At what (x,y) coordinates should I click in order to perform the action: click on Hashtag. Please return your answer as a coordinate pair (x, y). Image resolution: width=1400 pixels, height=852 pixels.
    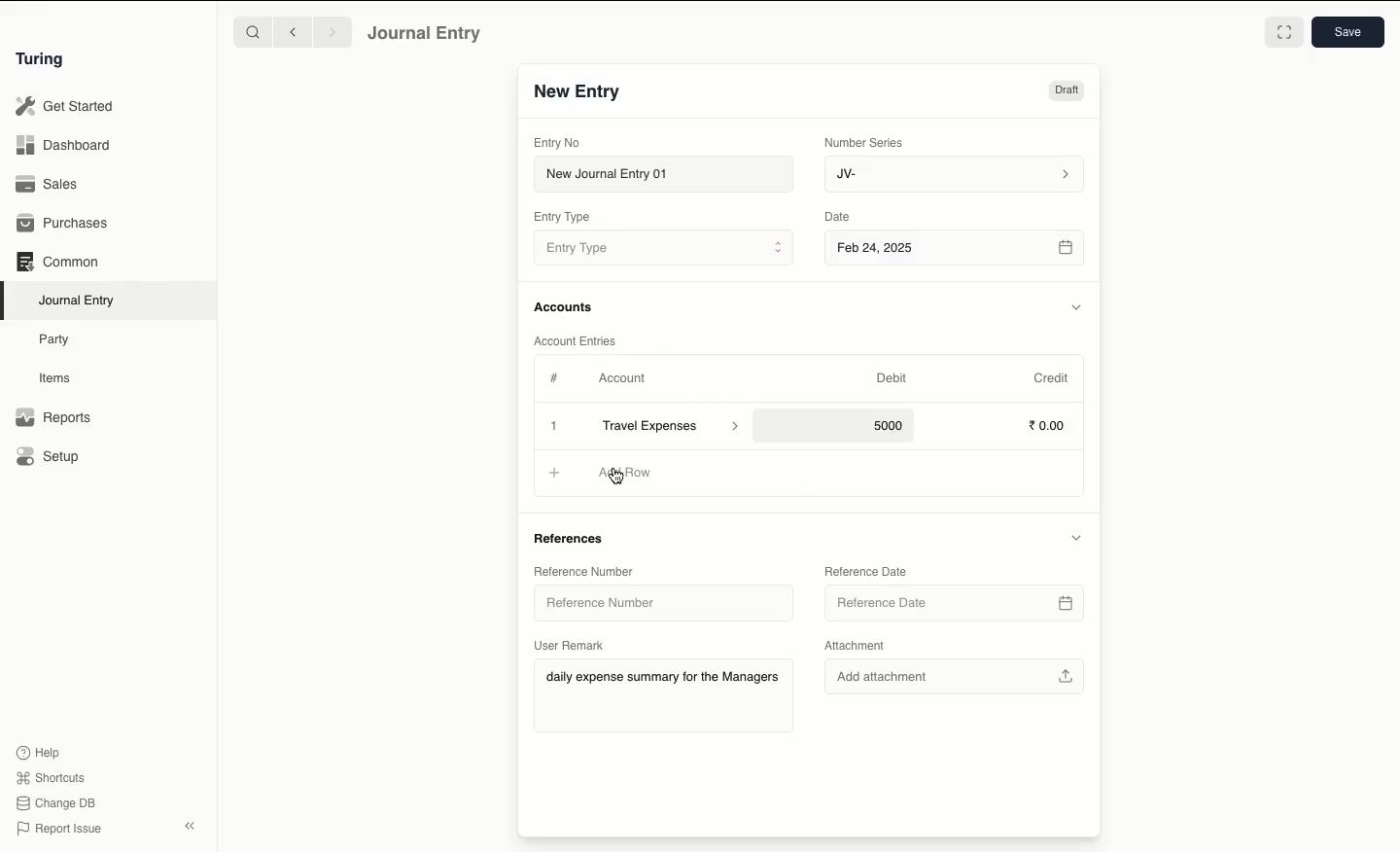
    Looking at the image, I should click on (556, 377).